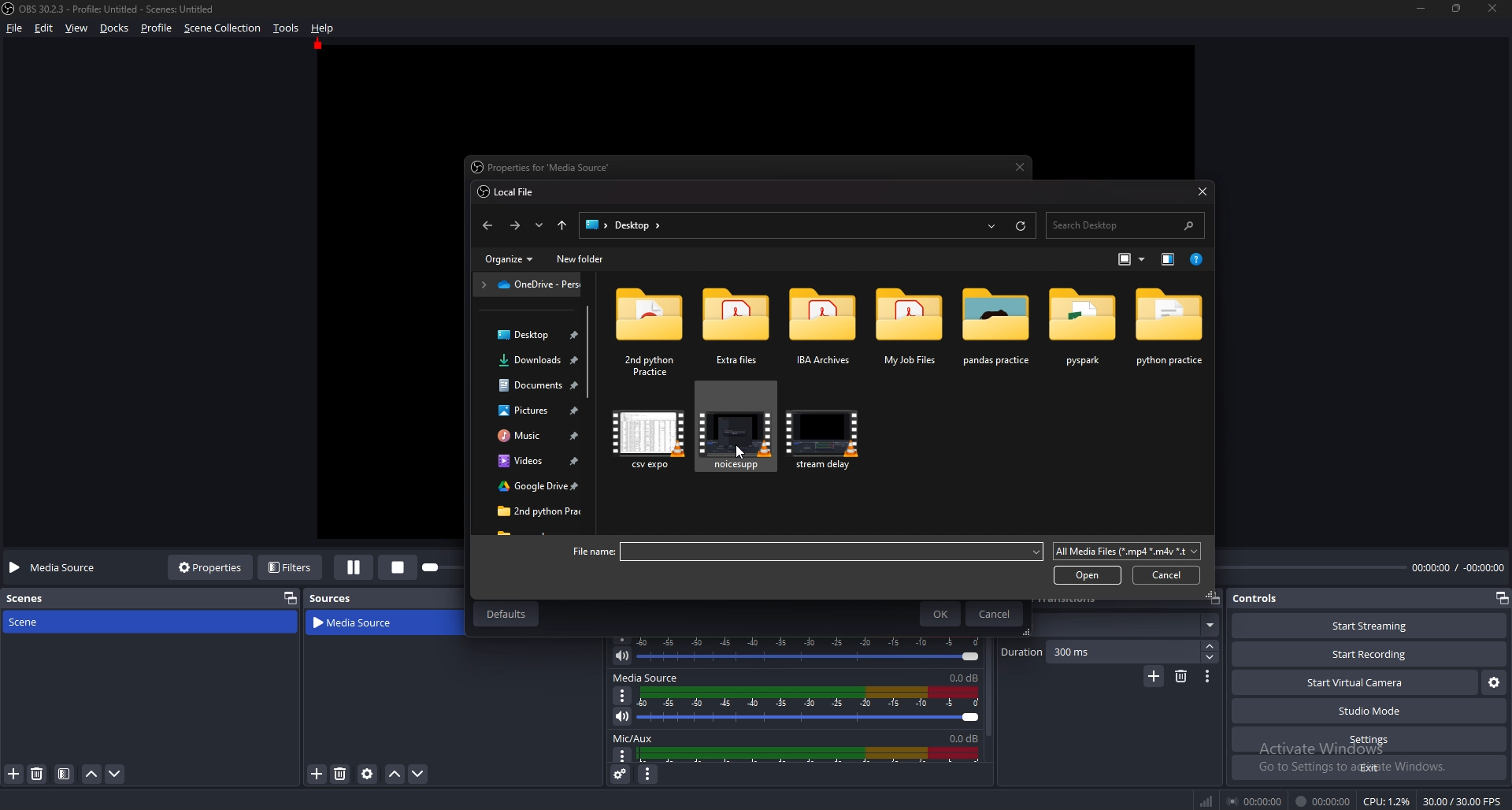  I want to click on view, so click(77, 29).